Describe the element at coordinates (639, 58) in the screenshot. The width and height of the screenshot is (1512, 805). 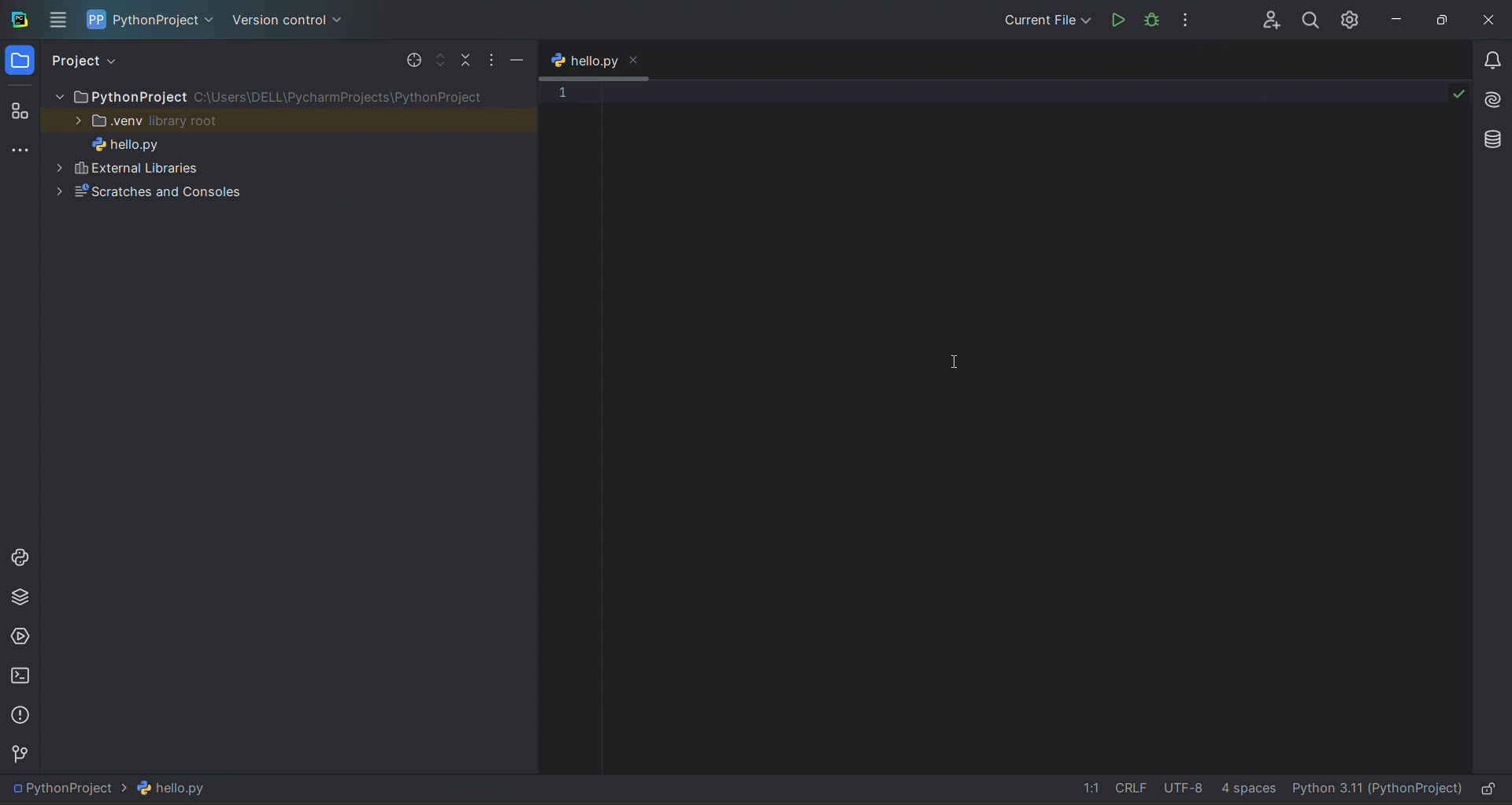
I see `close` at that location.